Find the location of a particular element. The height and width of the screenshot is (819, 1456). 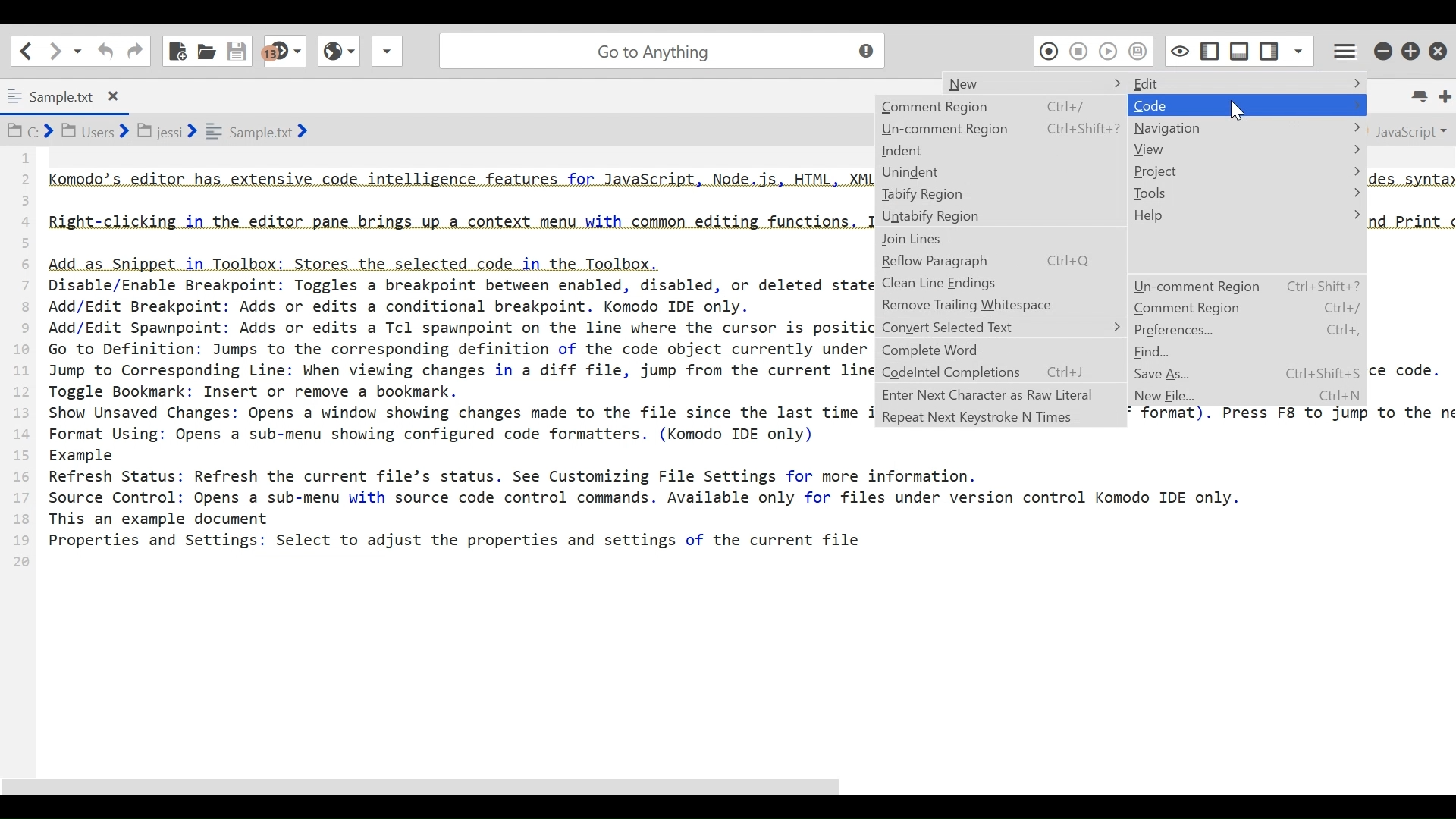

Remove Trailing Whitespace is located at coordinates (999, 305).